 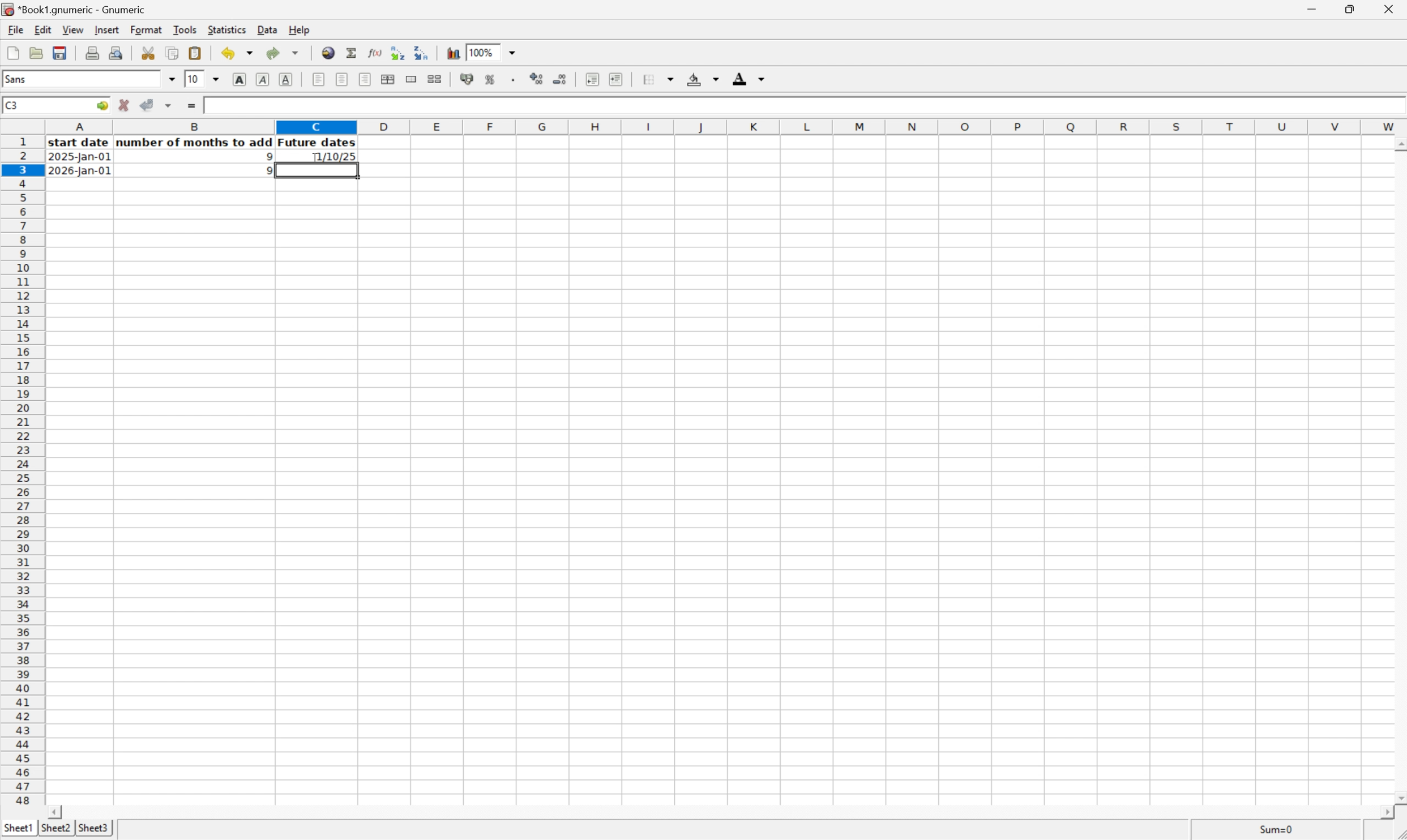 What do you see at coordinates (94, 53) in the screenshot?
I see `Print current file` at bounding box center [94, 53].